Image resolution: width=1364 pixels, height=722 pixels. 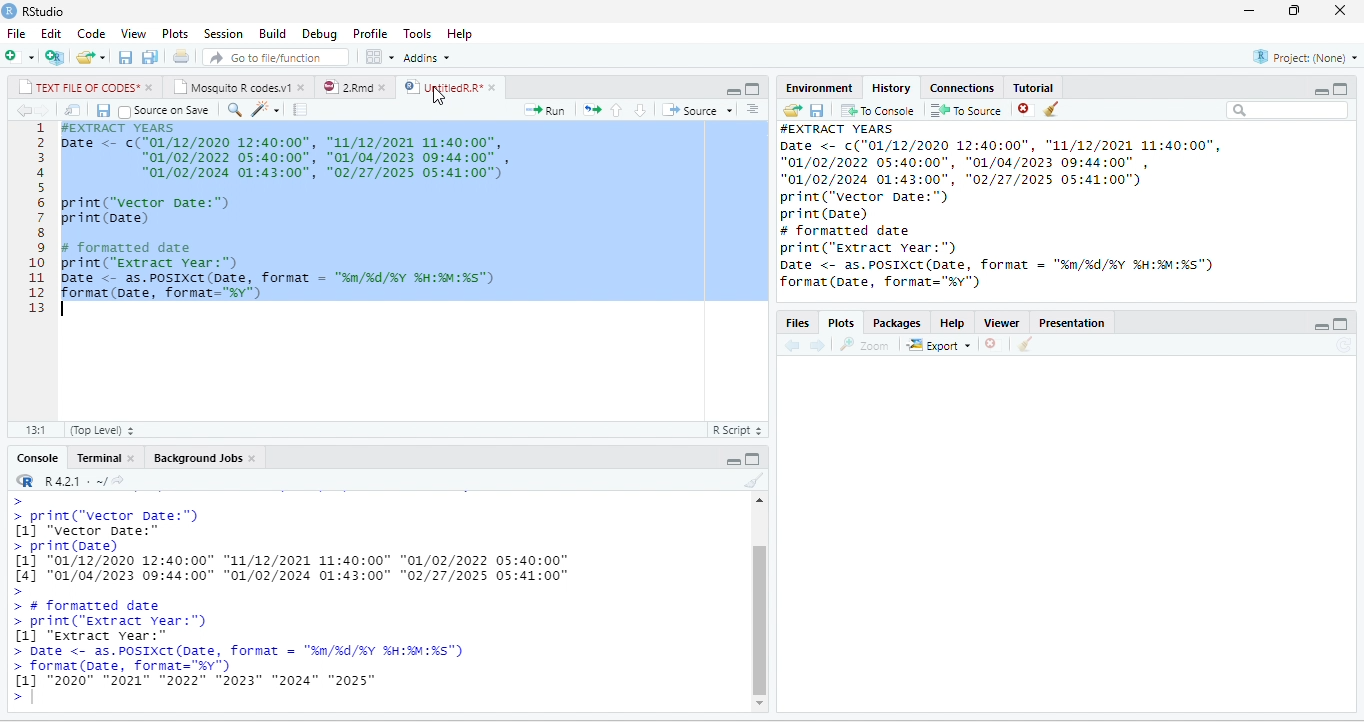 I want to click on back, so click(x=792, y=344).